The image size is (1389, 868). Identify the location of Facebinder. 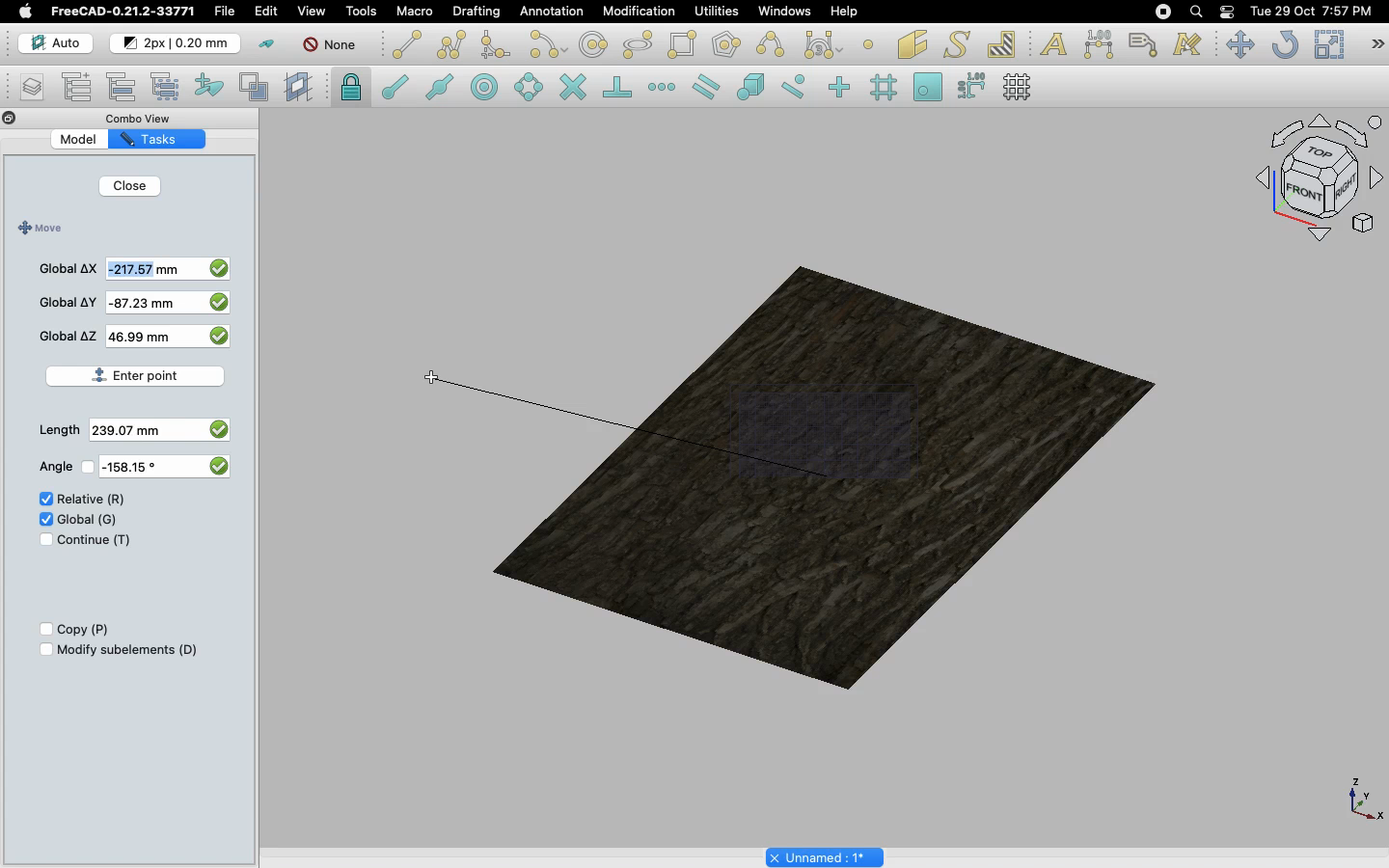
(912, 46).